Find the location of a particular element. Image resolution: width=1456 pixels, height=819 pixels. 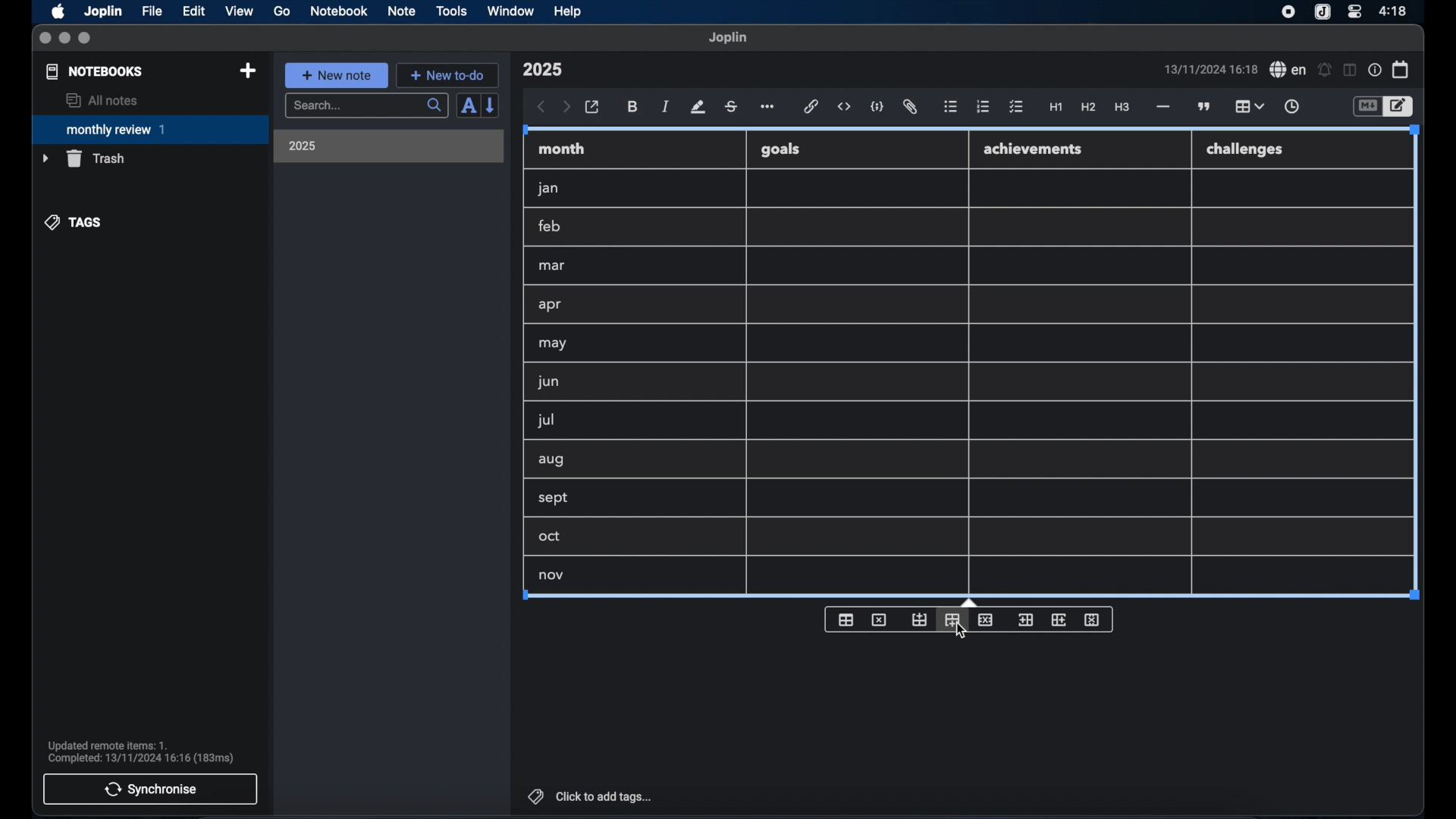

trash is located at coordinates (83, 158).